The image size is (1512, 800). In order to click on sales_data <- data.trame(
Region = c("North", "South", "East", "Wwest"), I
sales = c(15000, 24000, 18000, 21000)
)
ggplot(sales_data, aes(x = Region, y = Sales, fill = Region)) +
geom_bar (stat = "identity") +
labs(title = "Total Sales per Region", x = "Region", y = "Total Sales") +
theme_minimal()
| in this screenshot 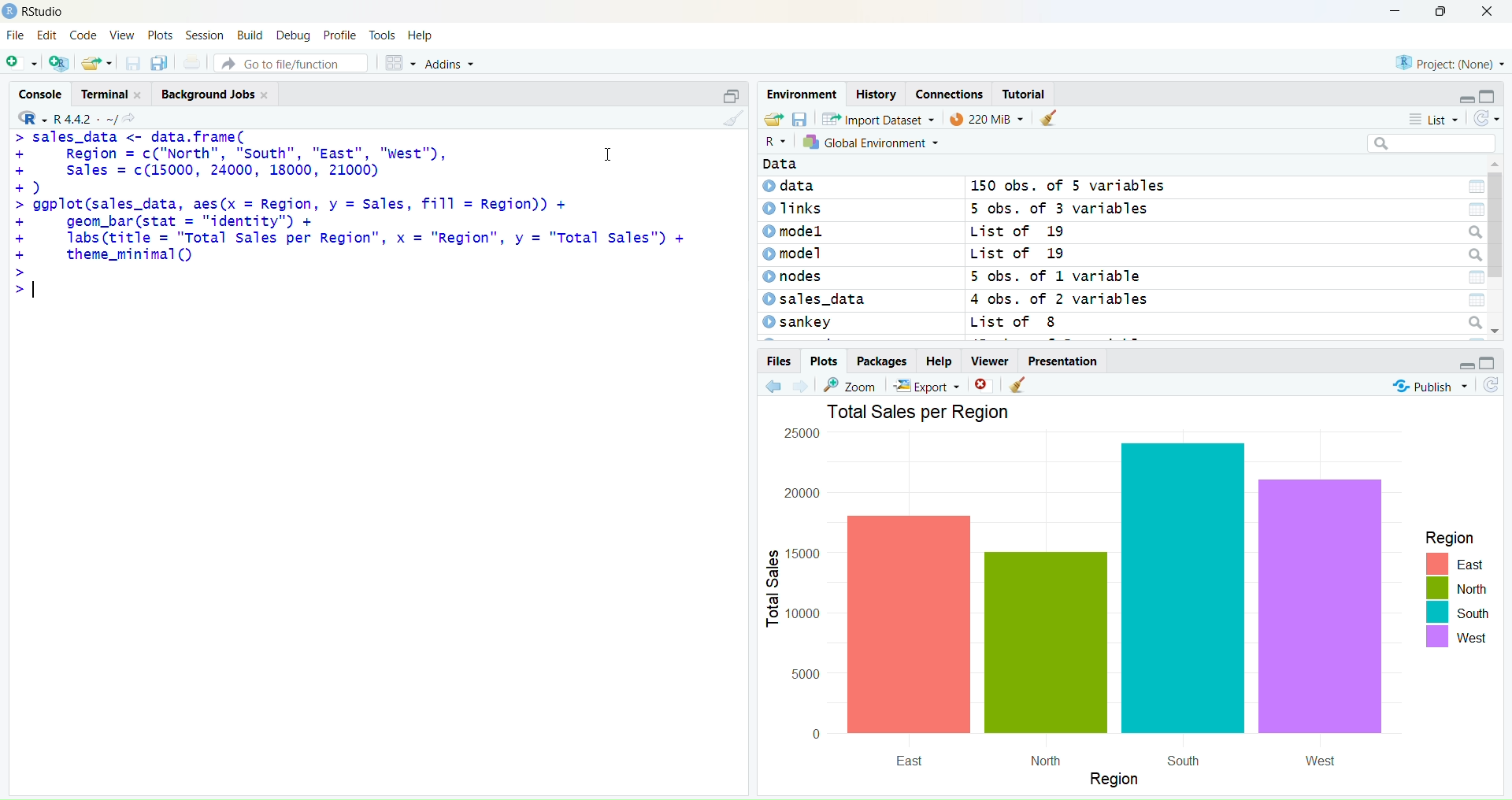, I will do `click(356, 211)`.